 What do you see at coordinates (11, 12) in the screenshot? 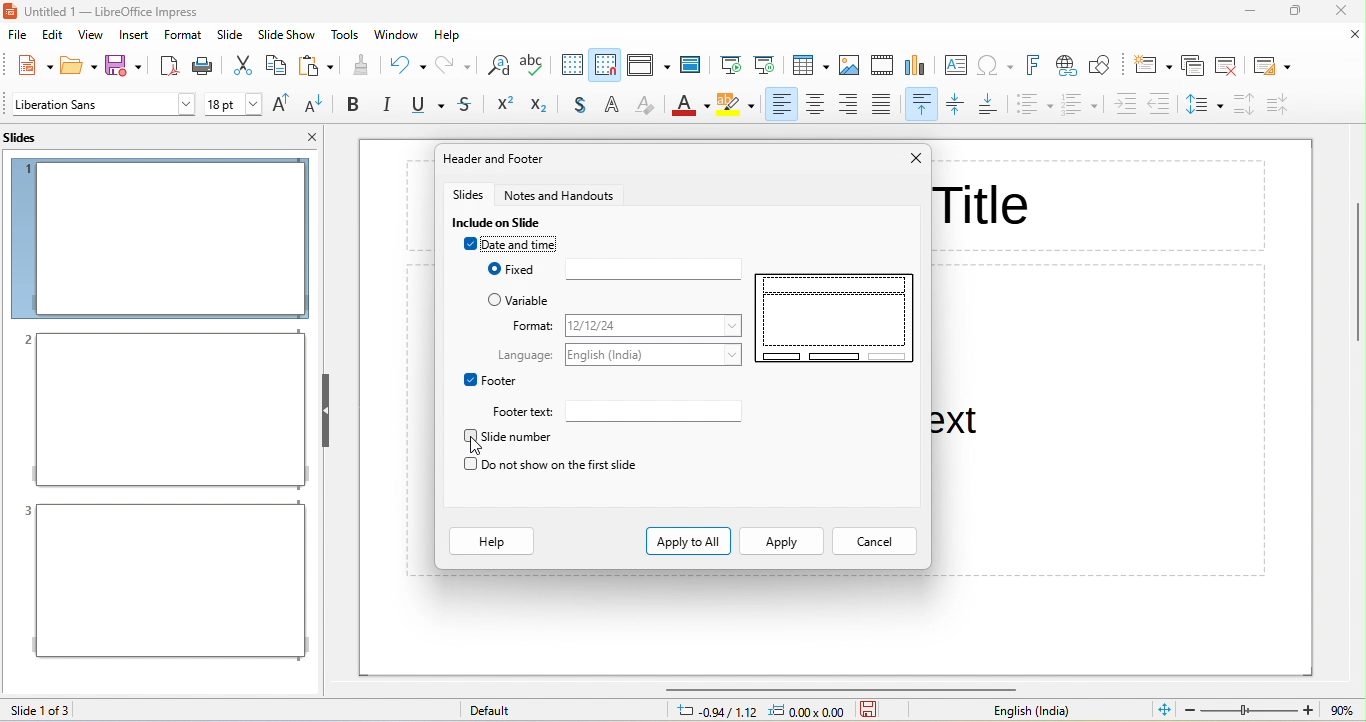
I see `logo` at bounding box center [11, 12].